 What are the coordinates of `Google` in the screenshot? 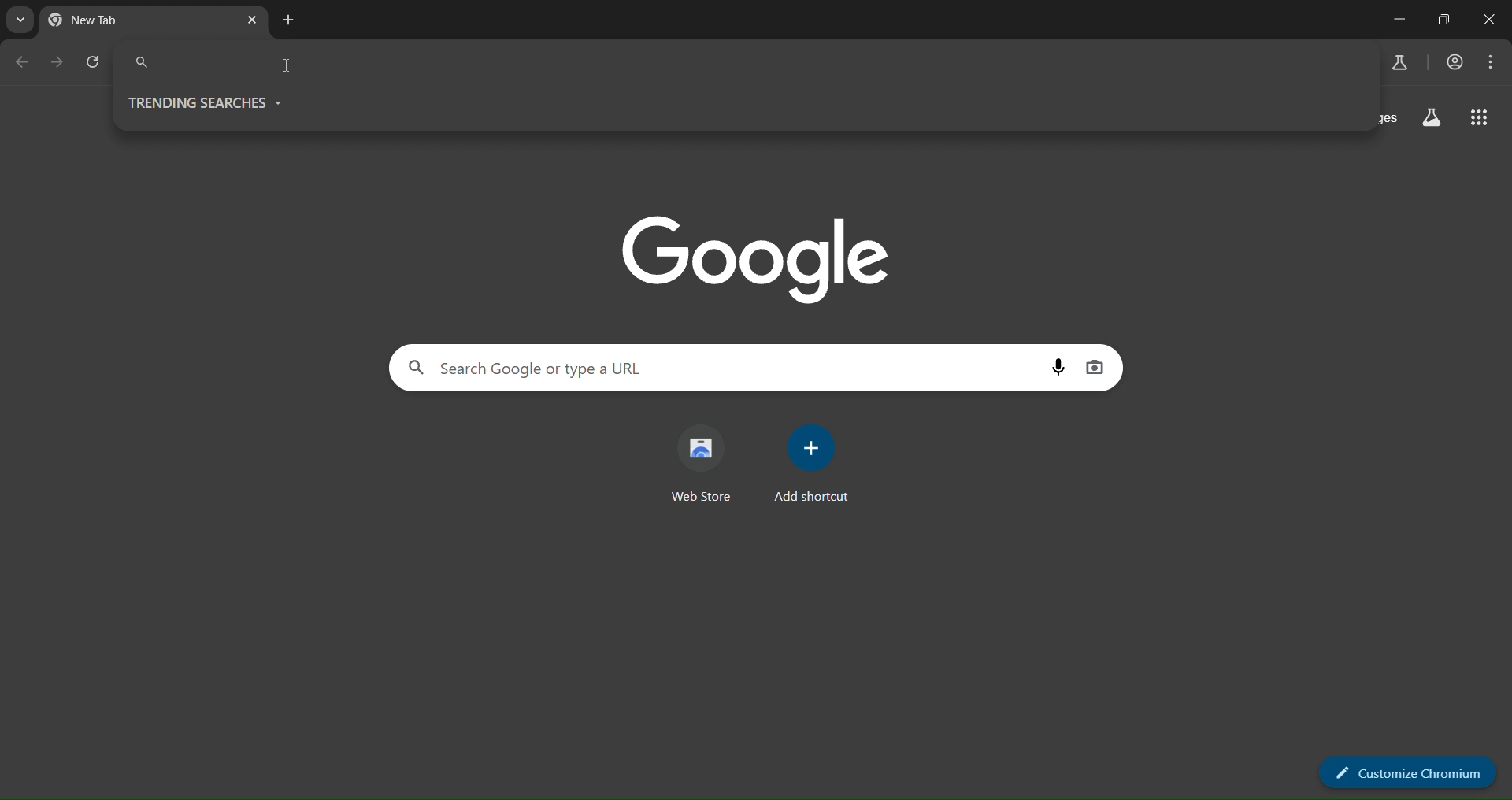 It's located at (762, 260).